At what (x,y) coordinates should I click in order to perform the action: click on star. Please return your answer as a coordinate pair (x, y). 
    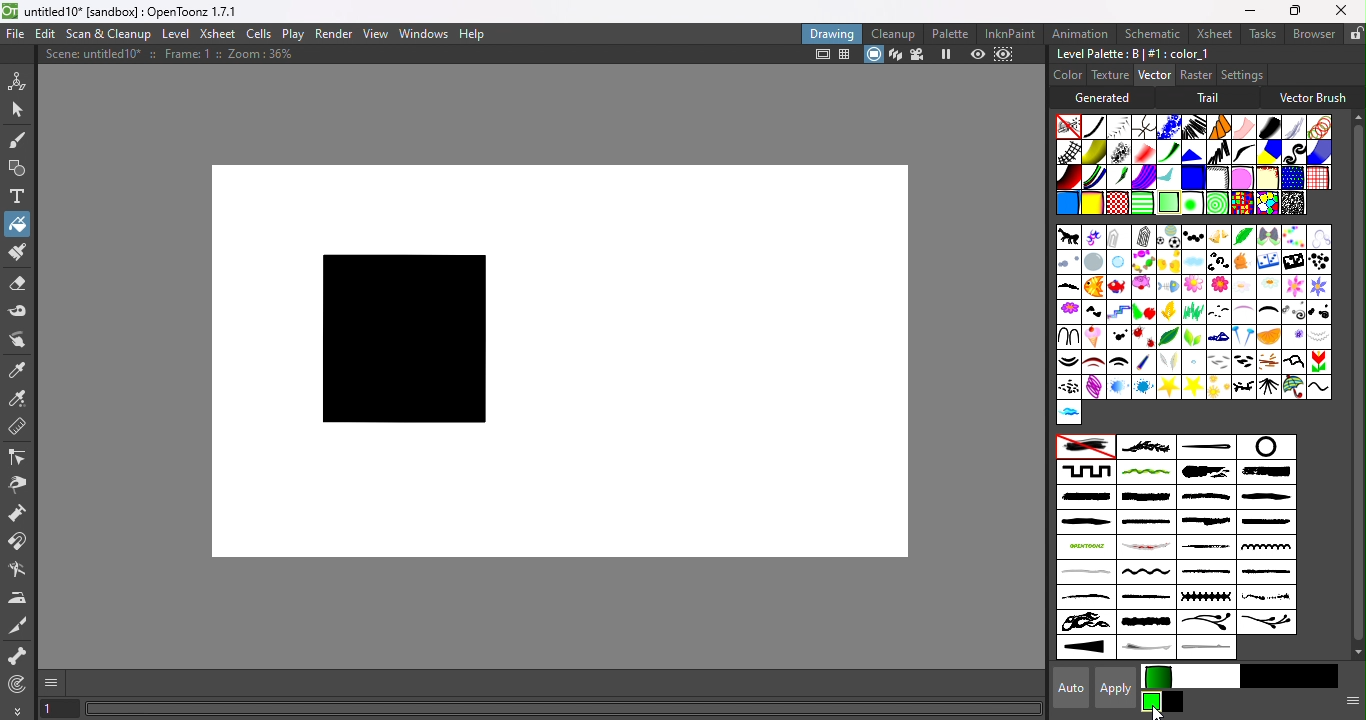
    Looking at the image, I should click on (1192, 386).